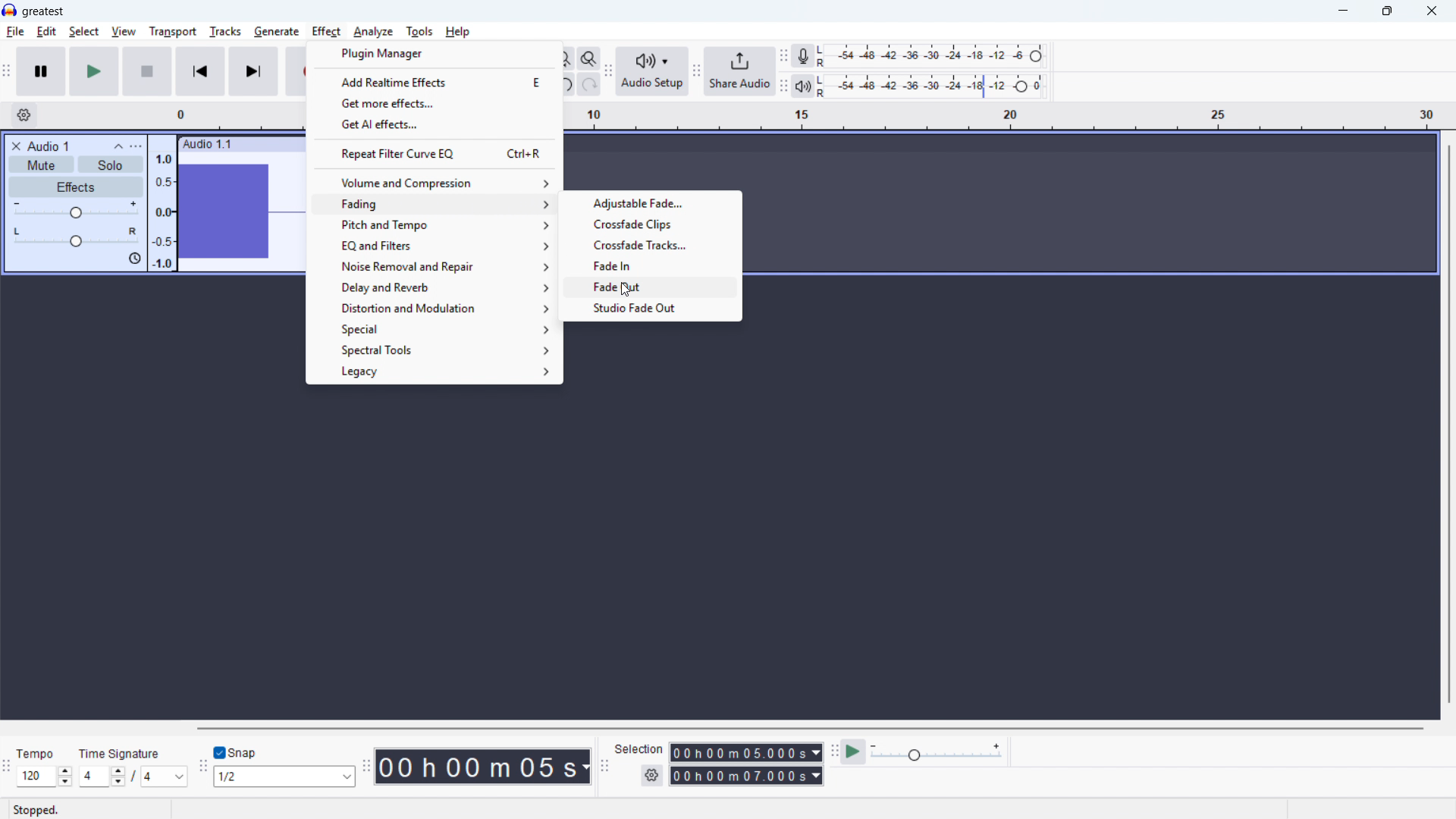 Image resolution: width=1456 pixels, height=819 pixels. What do you see at coordinates (45, 776) in the screenshot?
I see `Set tempo ` at bounding box center [45, 776].